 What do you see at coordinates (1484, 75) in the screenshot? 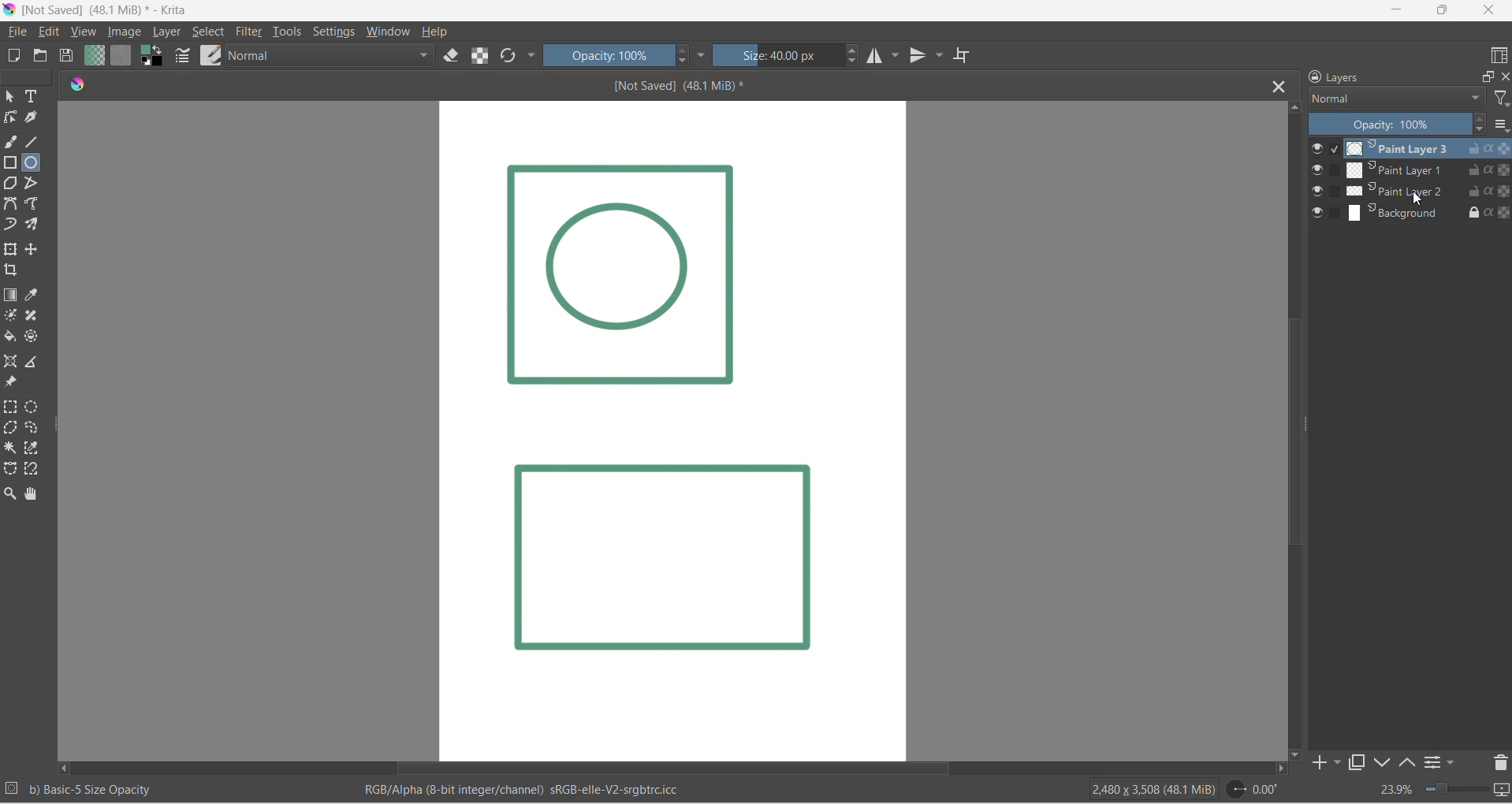
I see `maximize` at bounding box center [1484, 75].